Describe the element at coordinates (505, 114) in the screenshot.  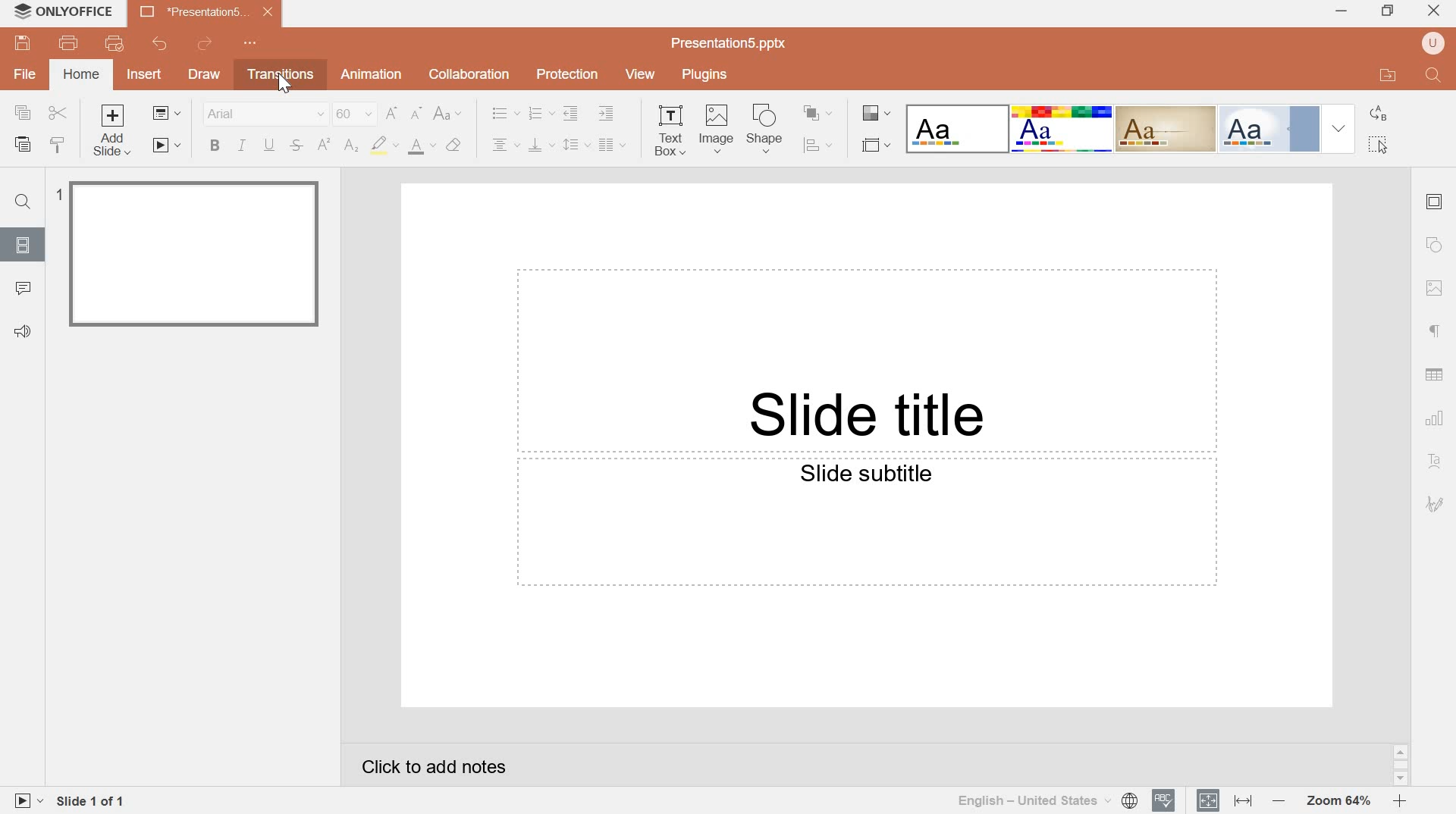
I see `bullets` at that location.